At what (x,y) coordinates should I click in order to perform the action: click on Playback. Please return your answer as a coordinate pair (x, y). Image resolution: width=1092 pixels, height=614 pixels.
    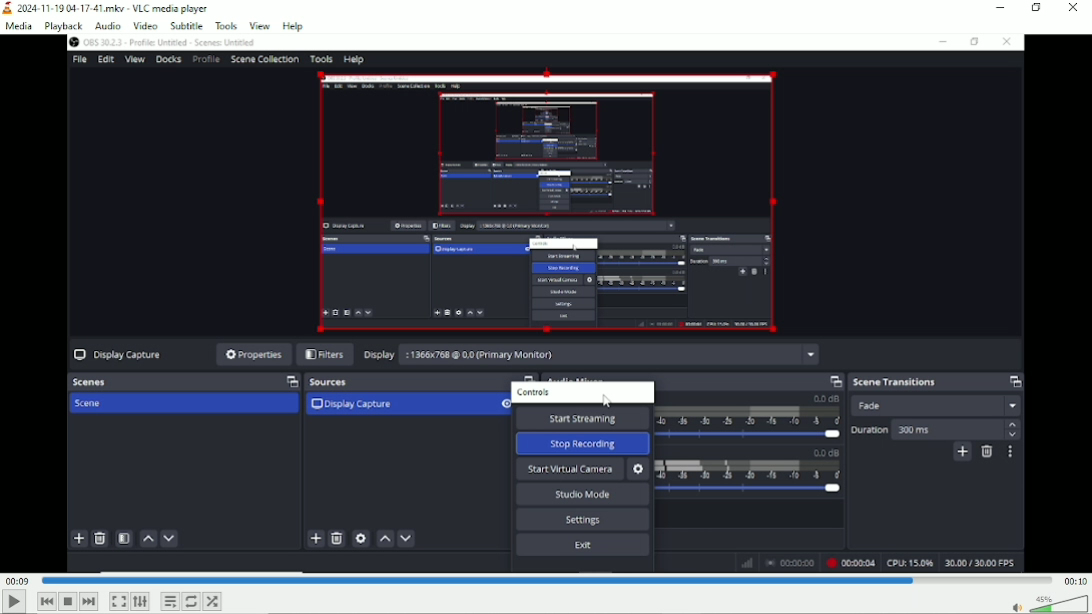
    Looking at the image, I should click on (62, 26).